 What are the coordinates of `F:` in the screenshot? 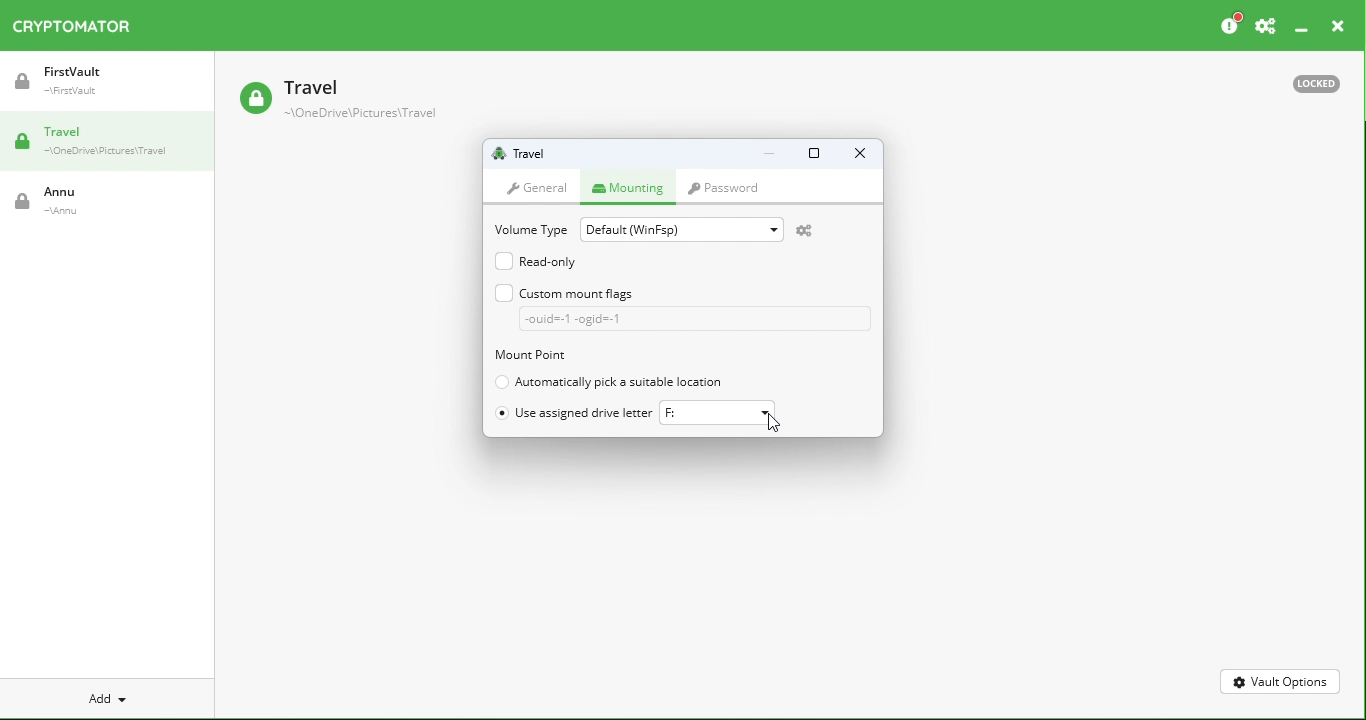 It's located at (717, 412).